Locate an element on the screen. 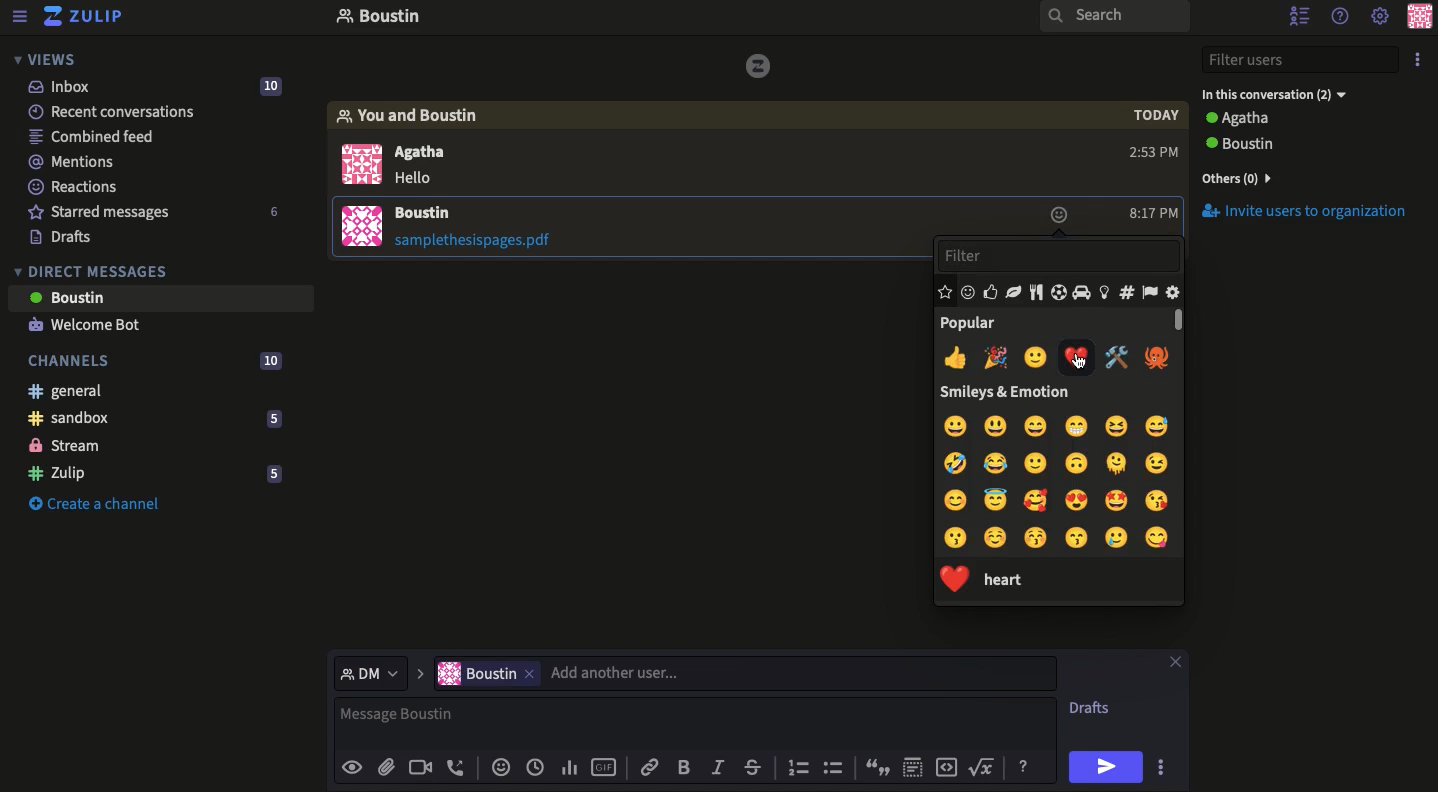  kiss with blush is located at coordinates (1035, 537).